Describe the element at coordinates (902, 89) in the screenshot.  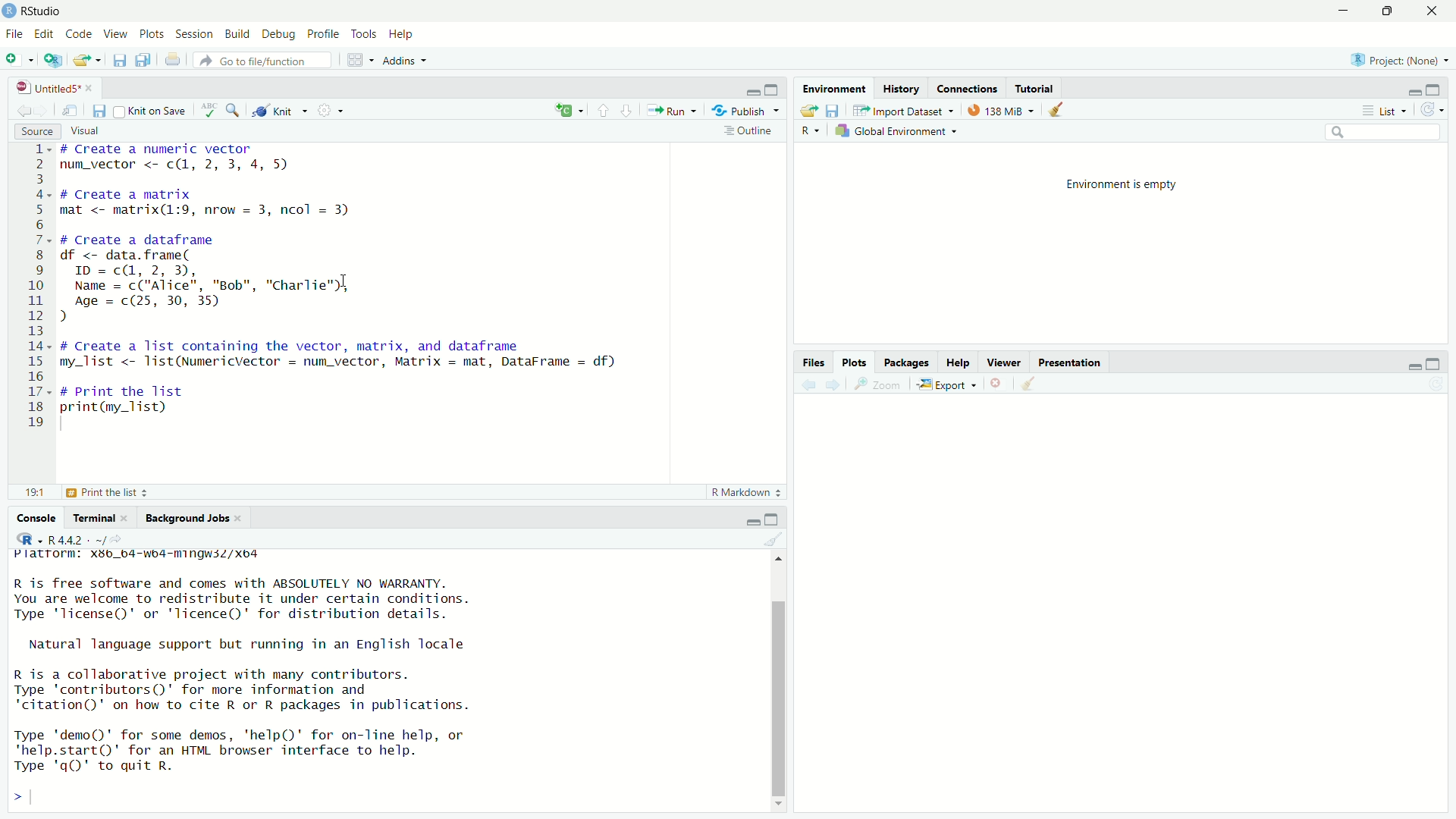
I see `{istory` at that location.